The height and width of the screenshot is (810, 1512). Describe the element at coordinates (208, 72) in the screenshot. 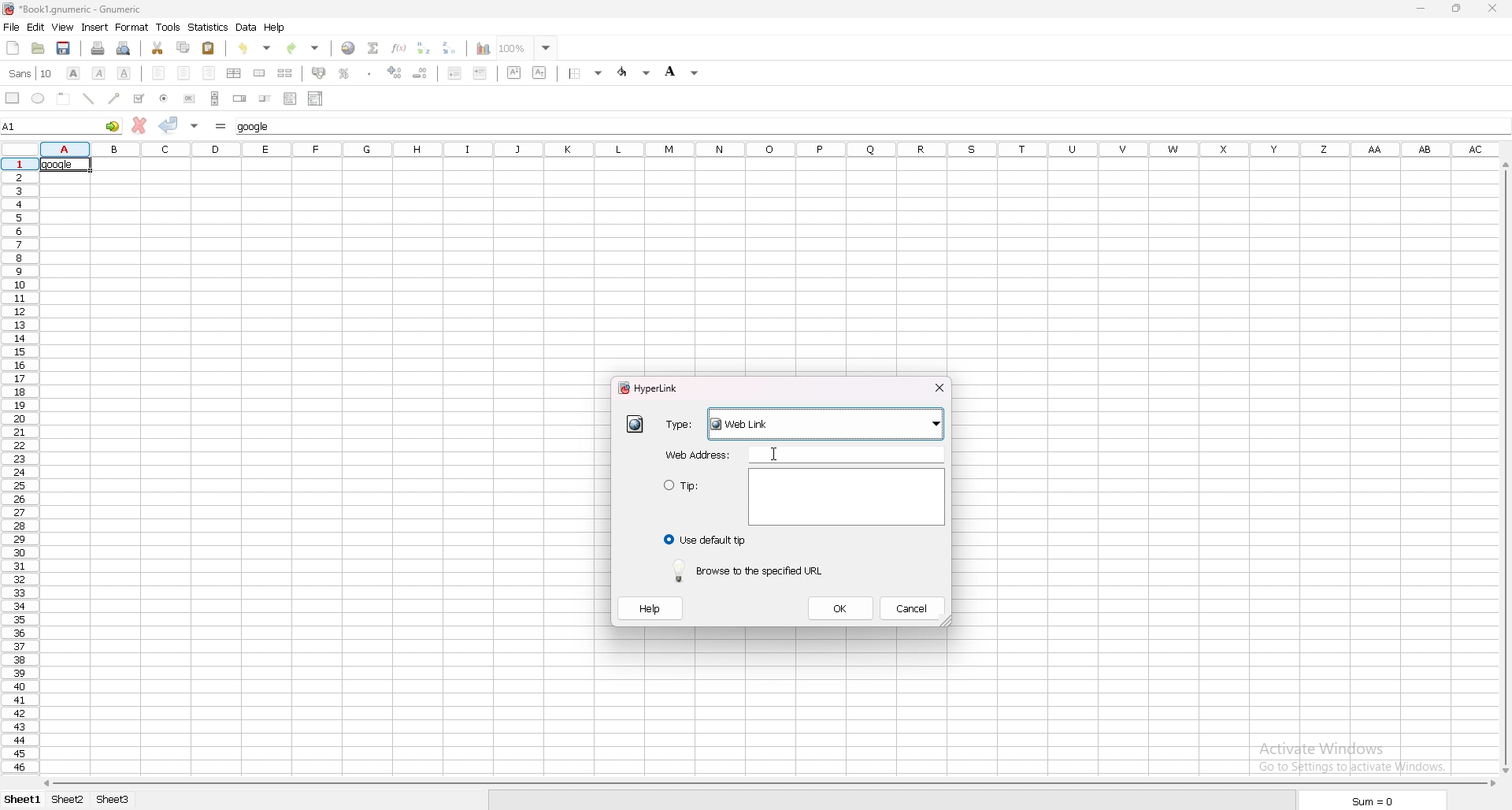

I see `right align` at that location.